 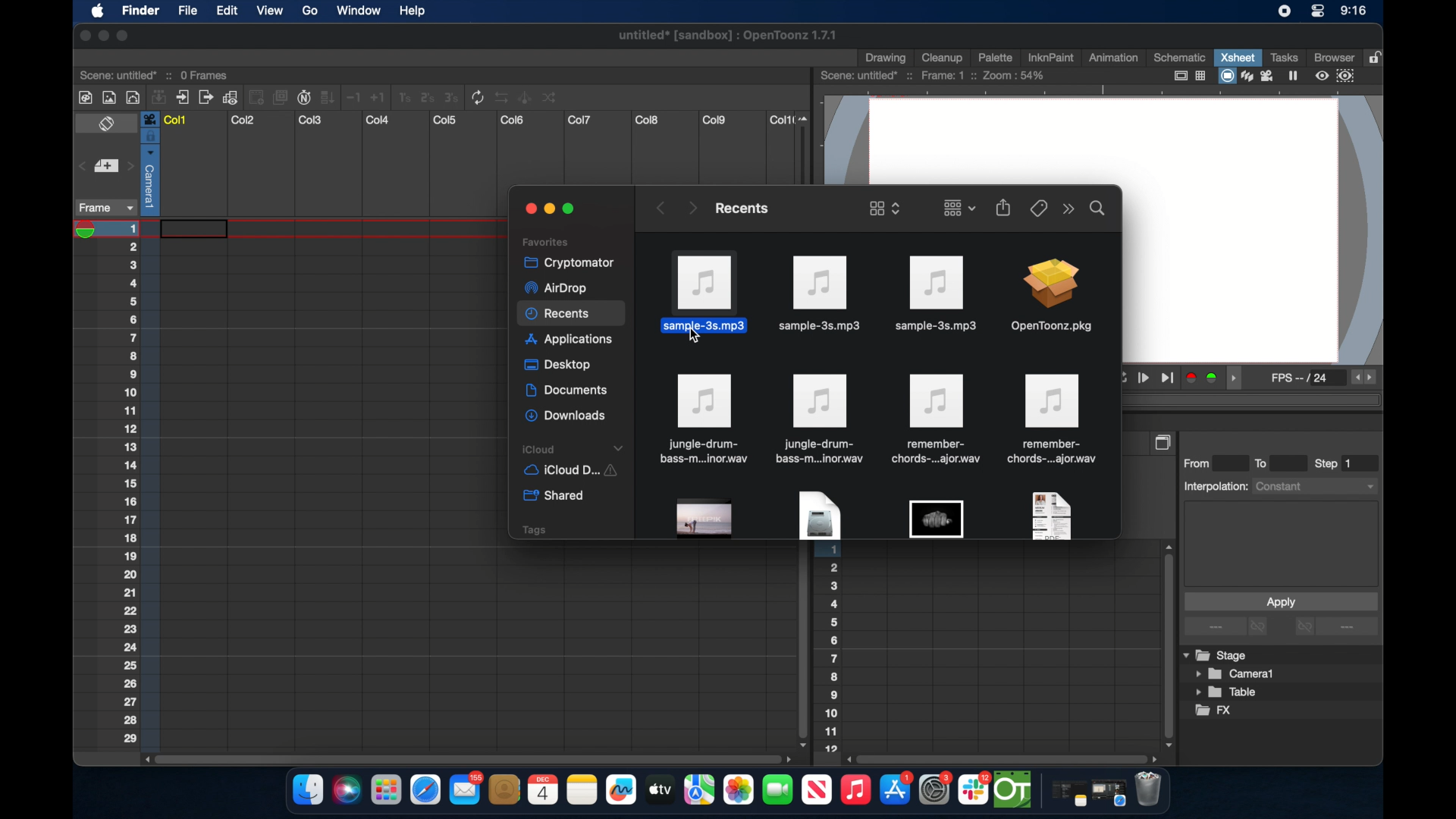 What do you see at coordinates (1353, 12) in the screenshot?
I see `time` at bounding box center [1353, 12].